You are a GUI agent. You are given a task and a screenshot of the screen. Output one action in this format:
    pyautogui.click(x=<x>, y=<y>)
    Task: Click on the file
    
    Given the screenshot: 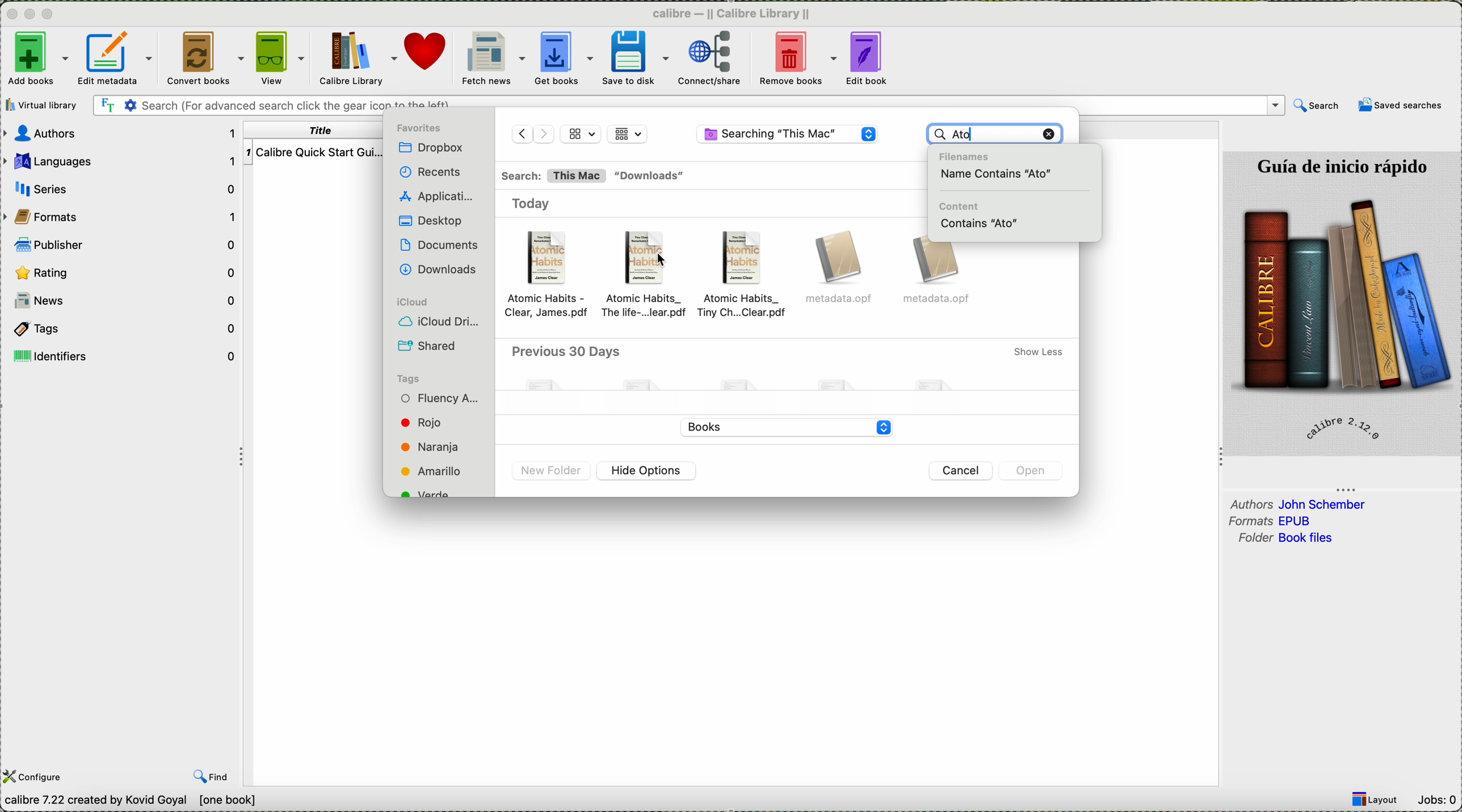 What is the action you would take?
    pyautogui.click(x=649, y=276)
    